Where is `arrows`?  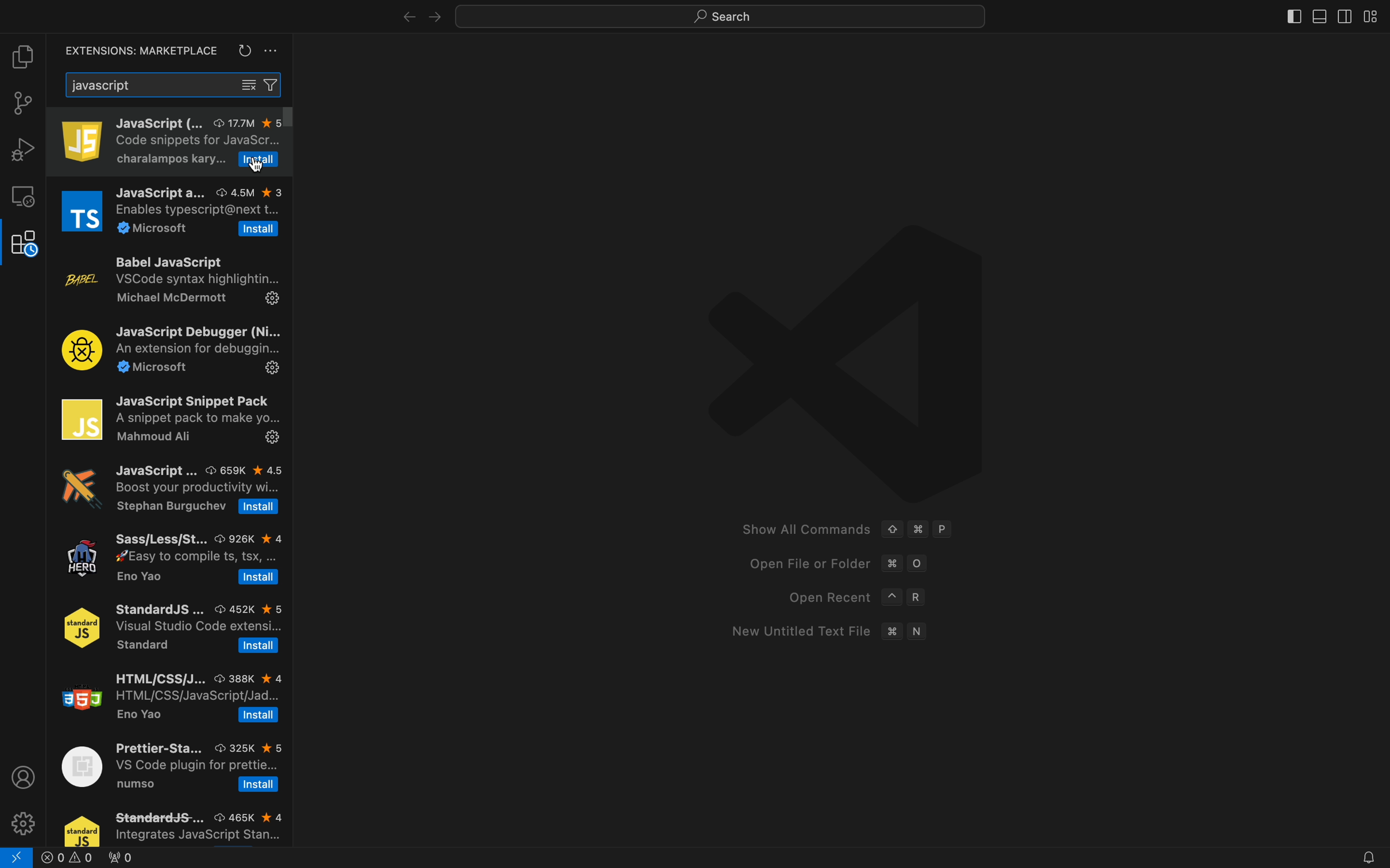
arrows is located at coordinates (418, 17).